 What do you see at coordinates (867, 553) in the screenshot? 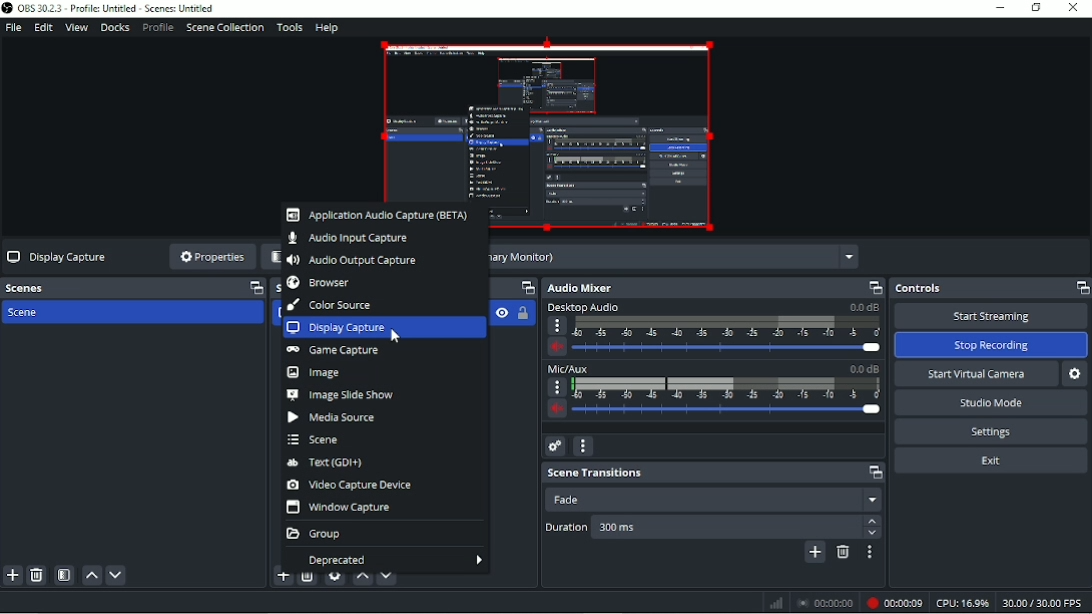
I see `Transition properties` at bounding box center [867, 553].